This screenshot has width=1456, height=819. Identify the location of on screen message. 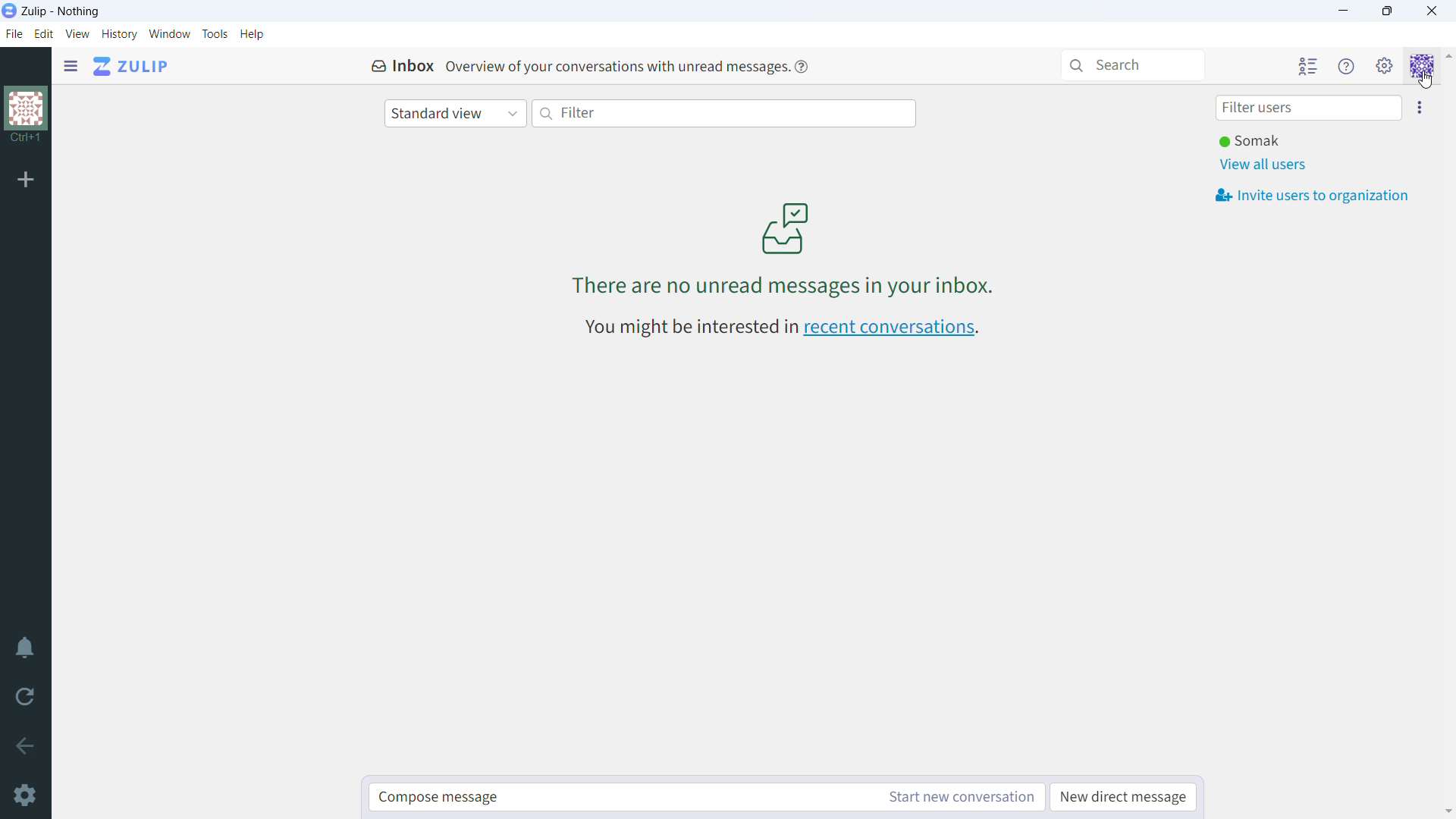
(787, 246).